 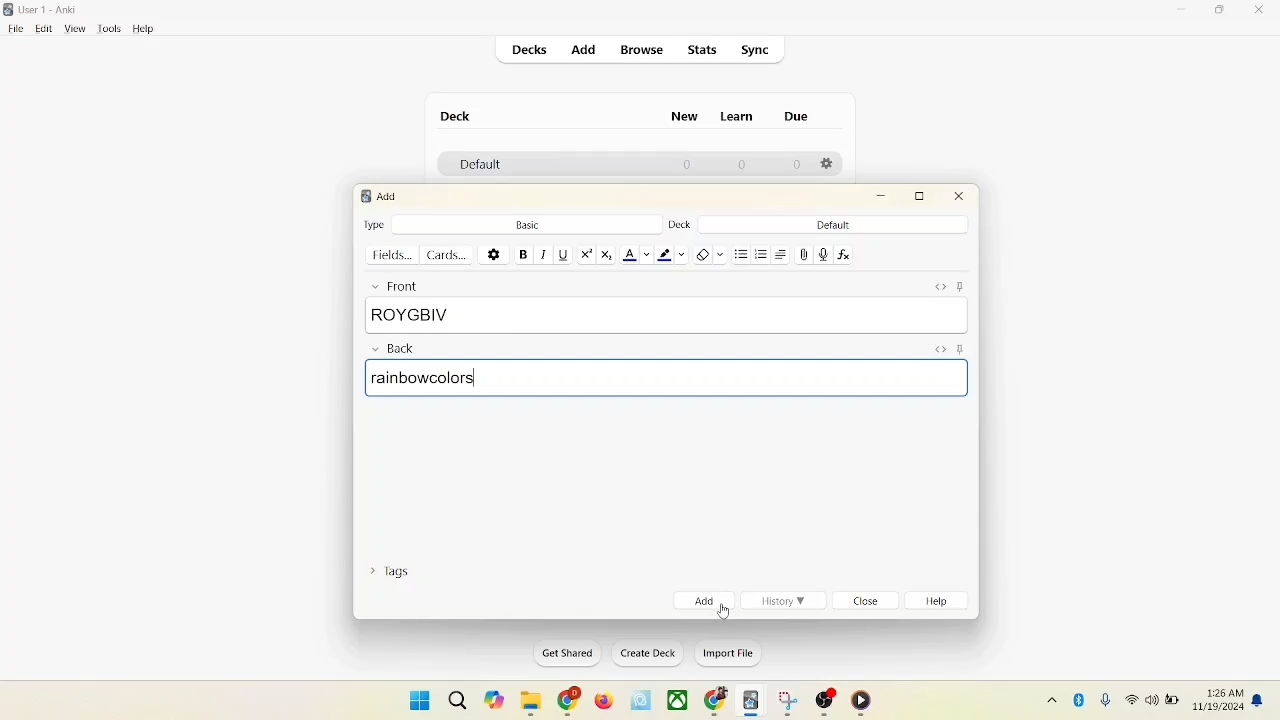 I want to click on battery, so click(x=1172, y=702).